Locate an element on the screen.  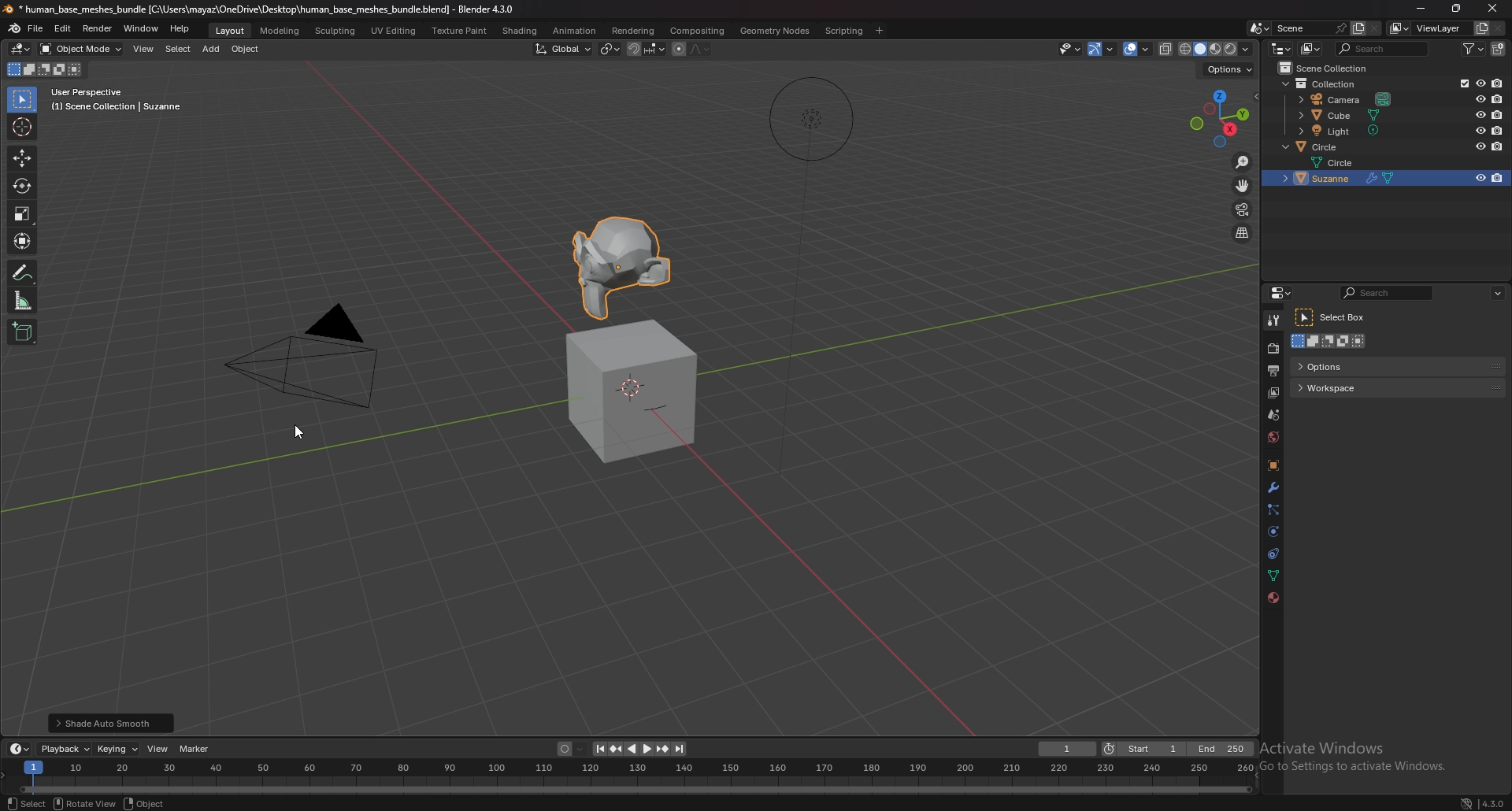
layout is located at coordinates (231, 30).